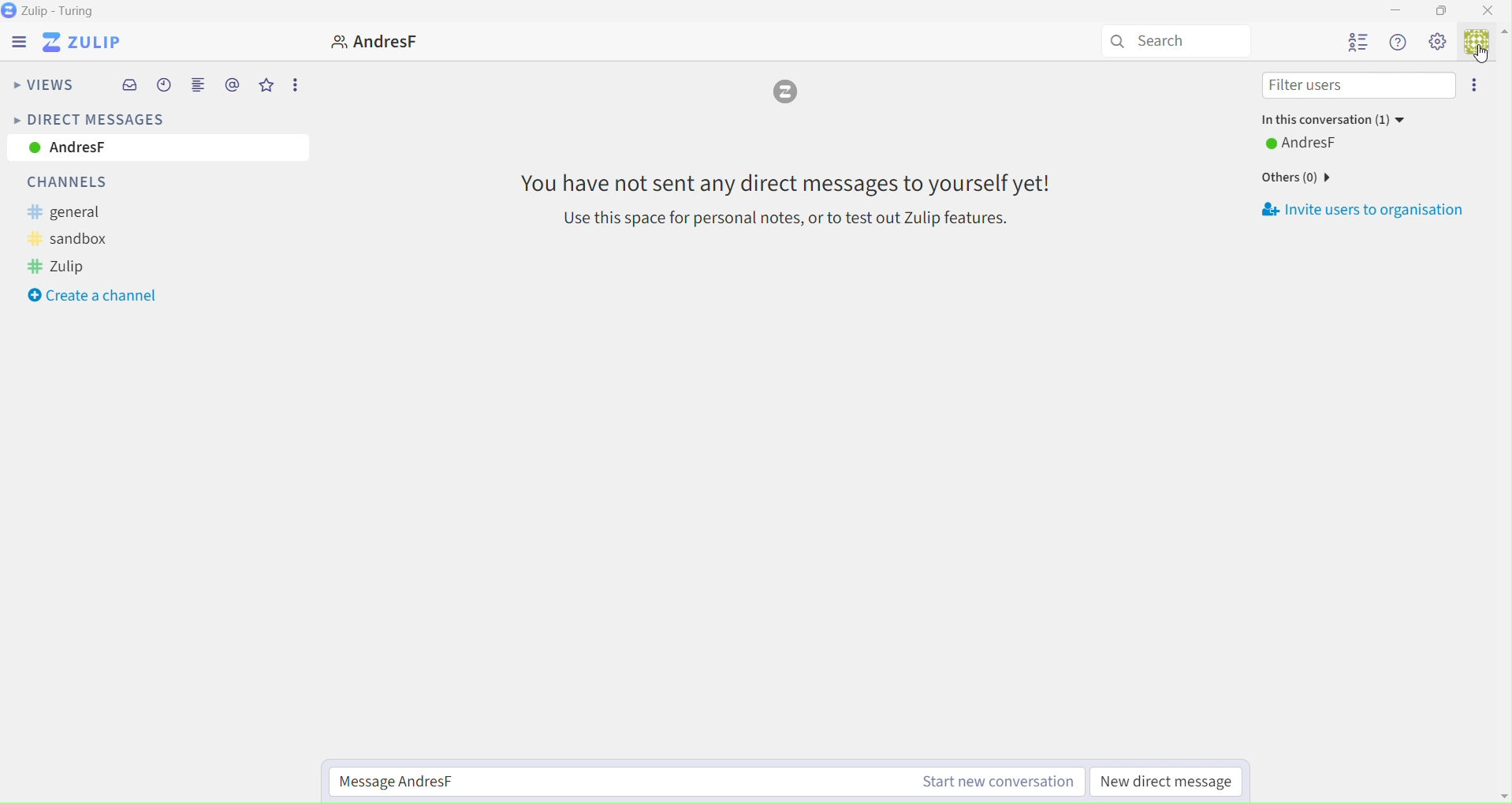  I want to click on AndresF, so click(155, 149).